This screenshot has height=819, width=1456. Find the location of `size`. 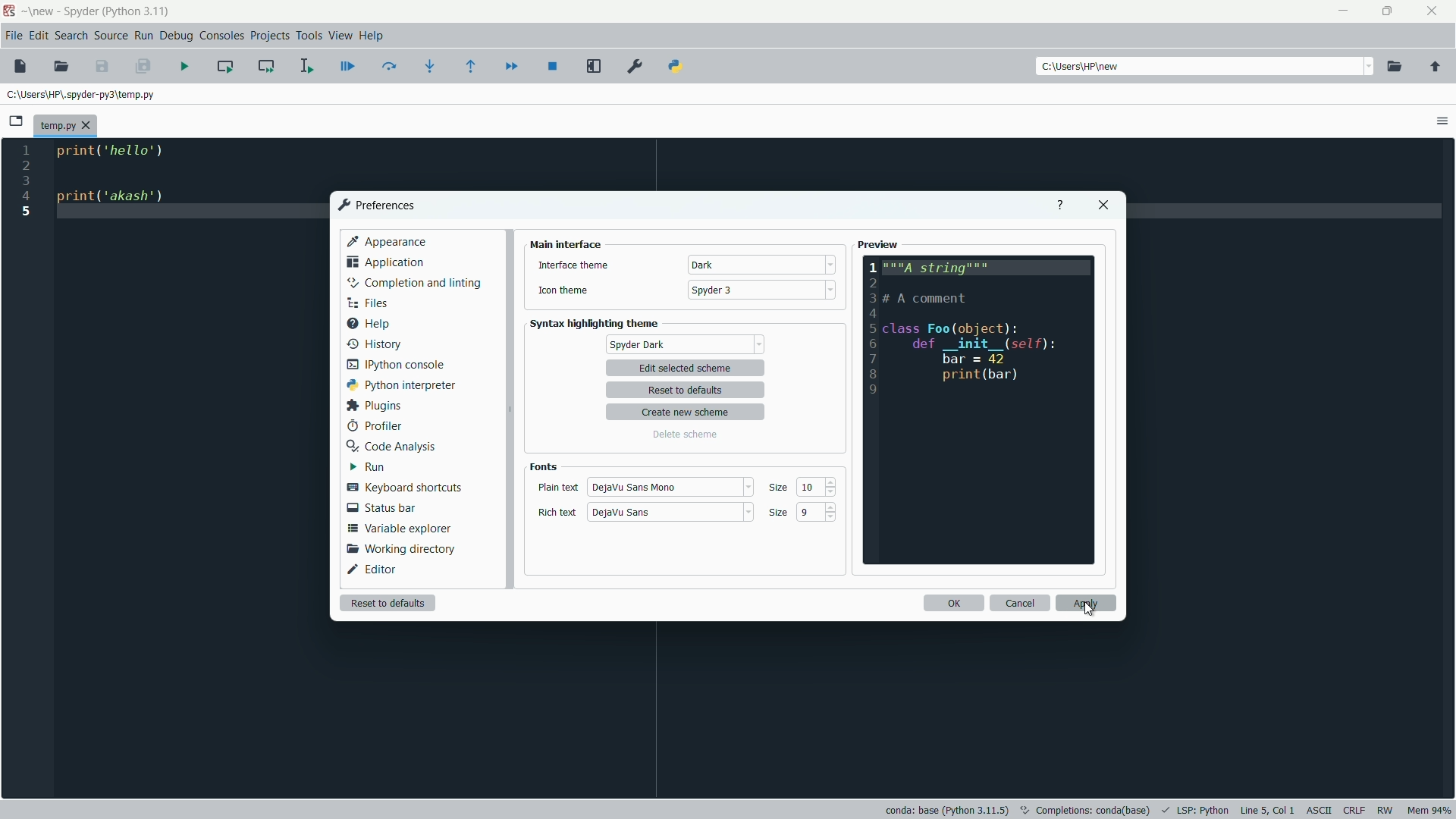

size is located at coordinates (780, 489).